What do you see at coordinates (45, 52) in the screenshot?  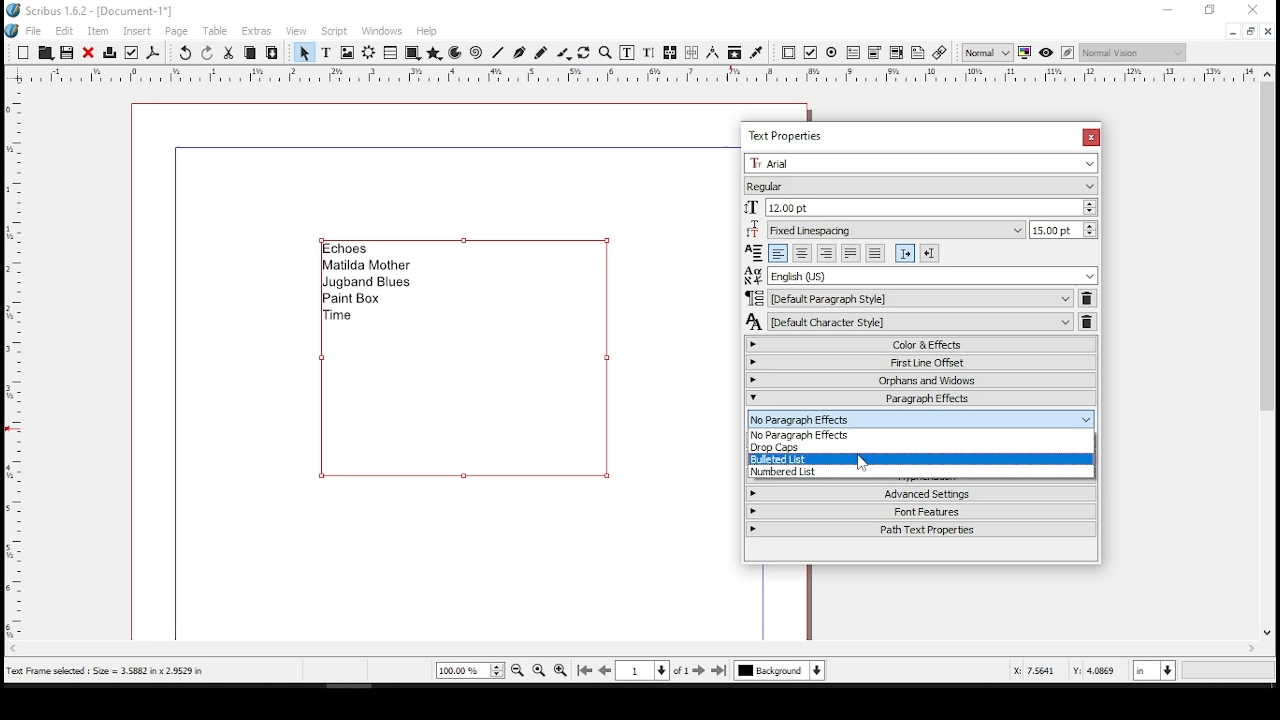 I see `` at bounding box center [45, 52].